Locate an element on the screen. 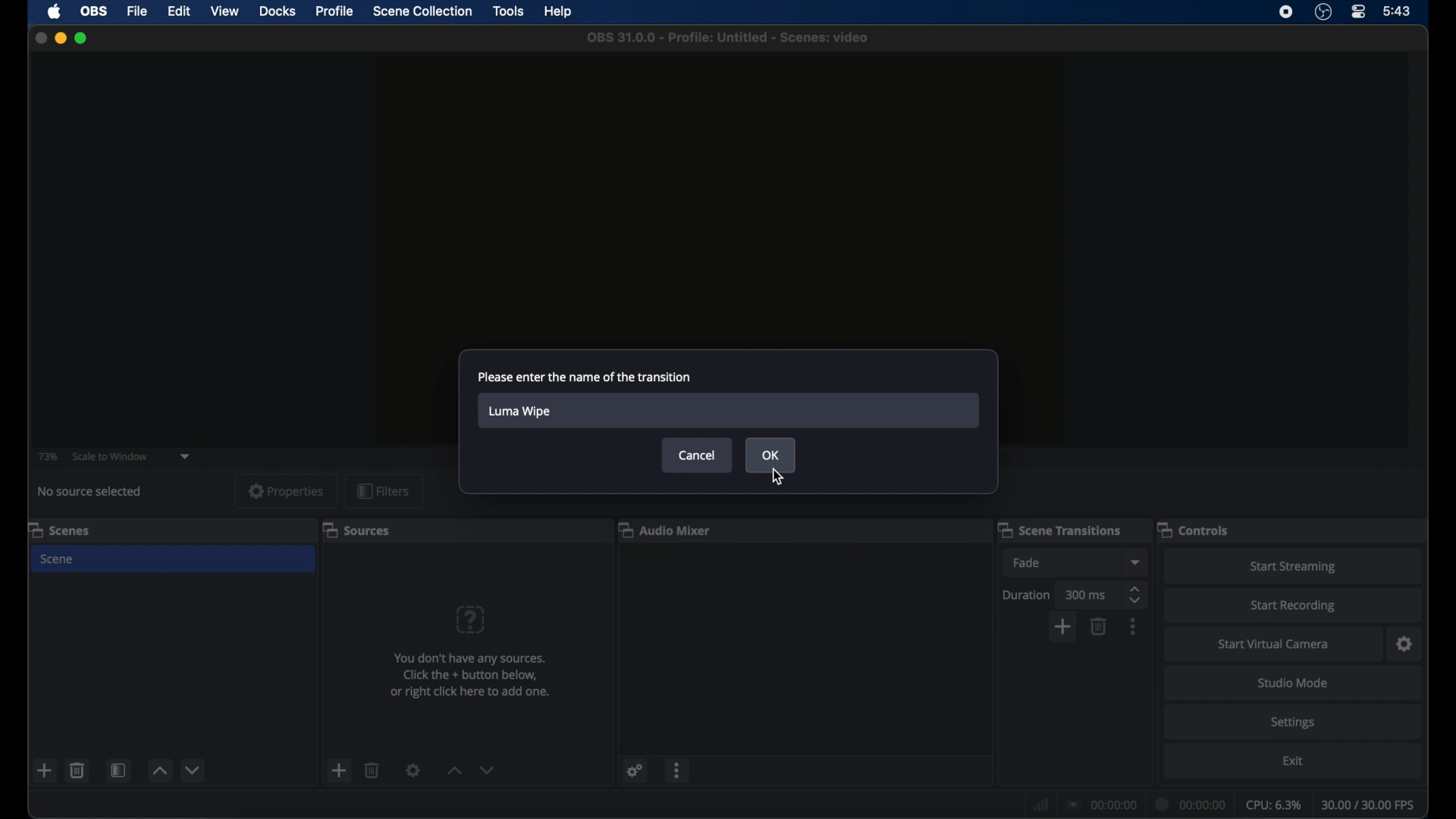  properties is located at coordinates (285, 491).